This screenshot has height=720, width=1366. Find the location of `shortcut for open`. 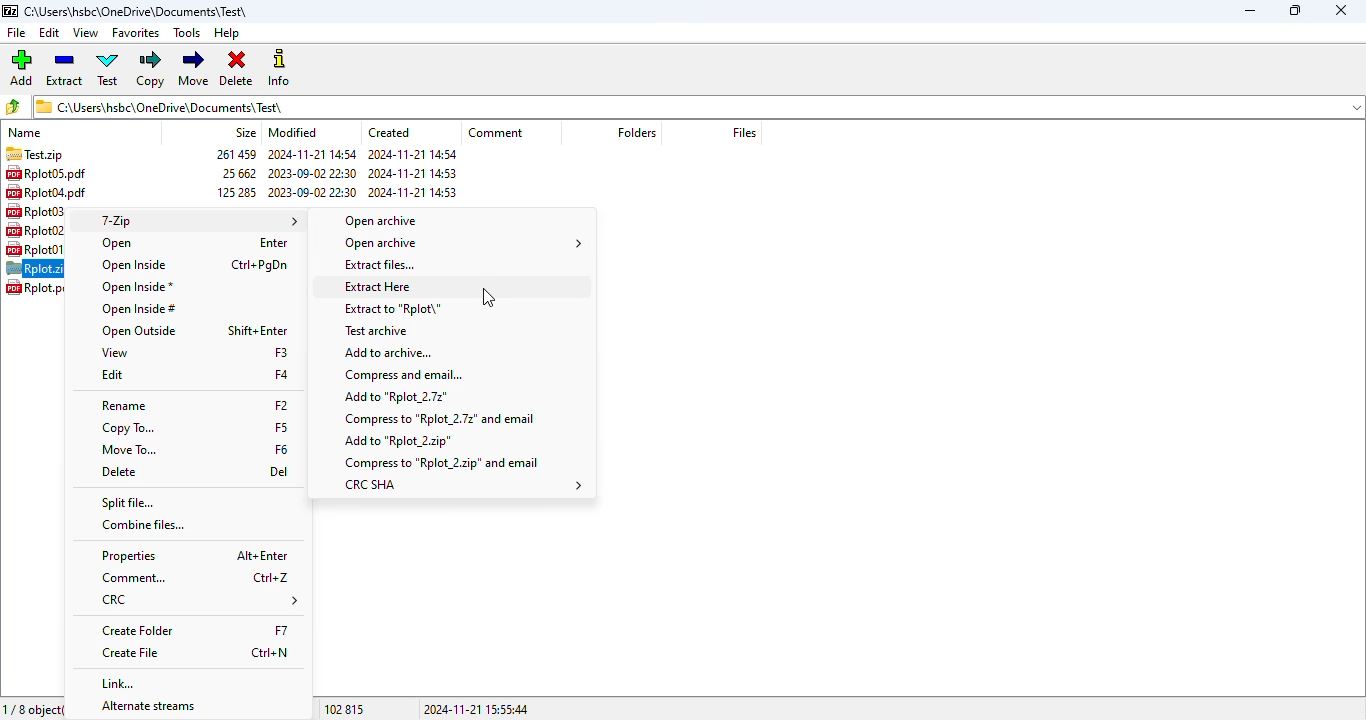

shortcut for open is located at coordinates (274, 243).